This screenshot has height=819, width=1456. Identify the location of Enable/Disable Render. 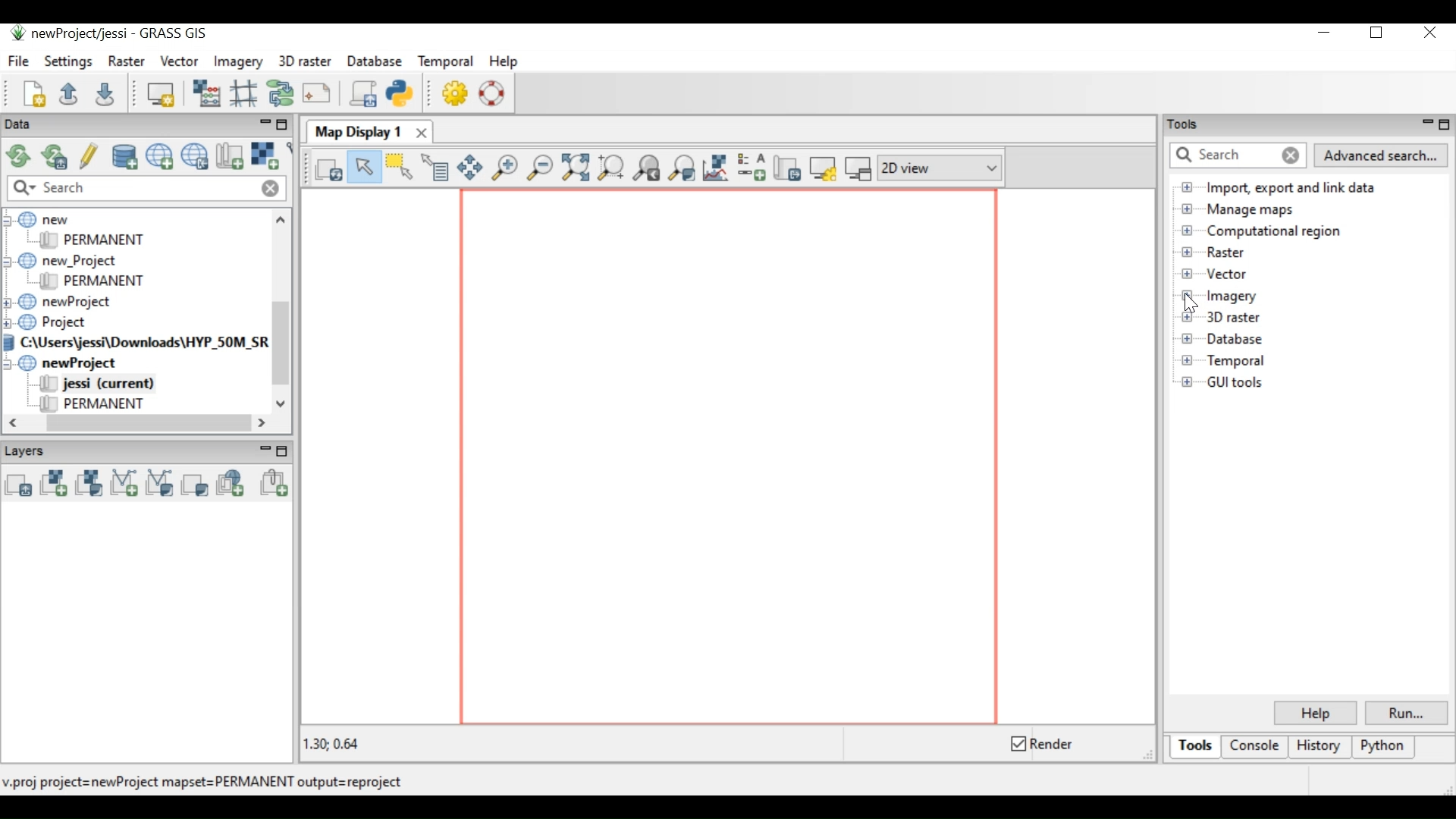
(1043, 743).